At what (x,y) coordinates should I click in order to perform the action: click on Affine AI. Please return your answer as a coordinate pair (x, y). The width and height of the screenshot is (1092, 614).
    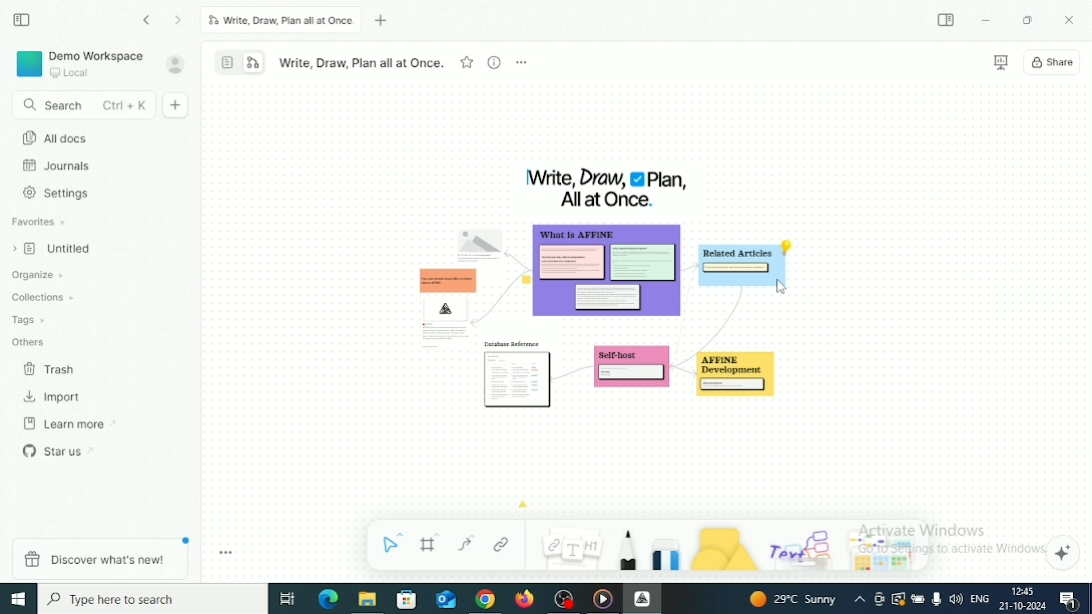
    Looking at the image, I should click on (1064, 553).